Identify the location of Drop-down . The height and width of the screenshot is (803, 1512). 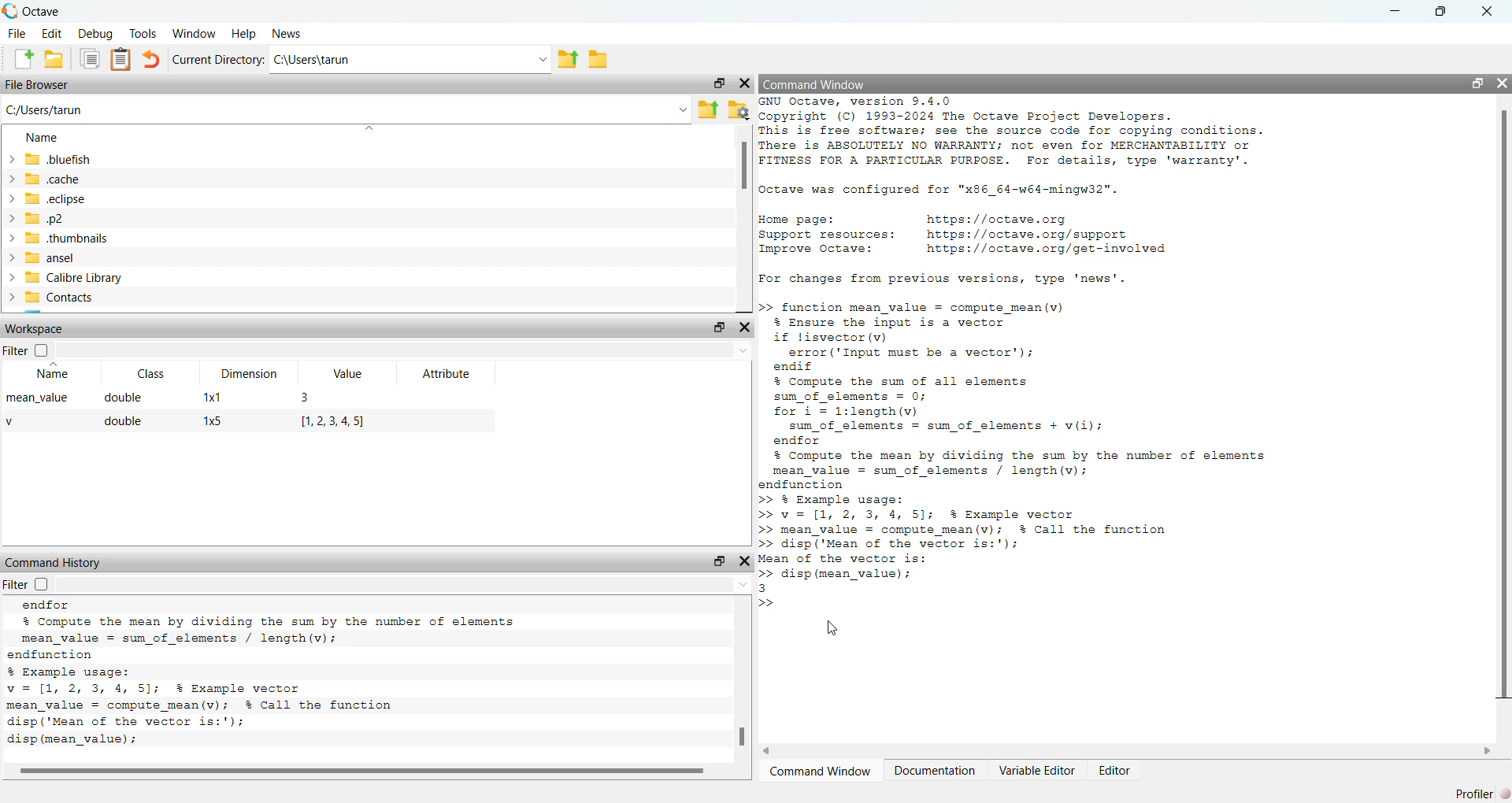
(744, 584).